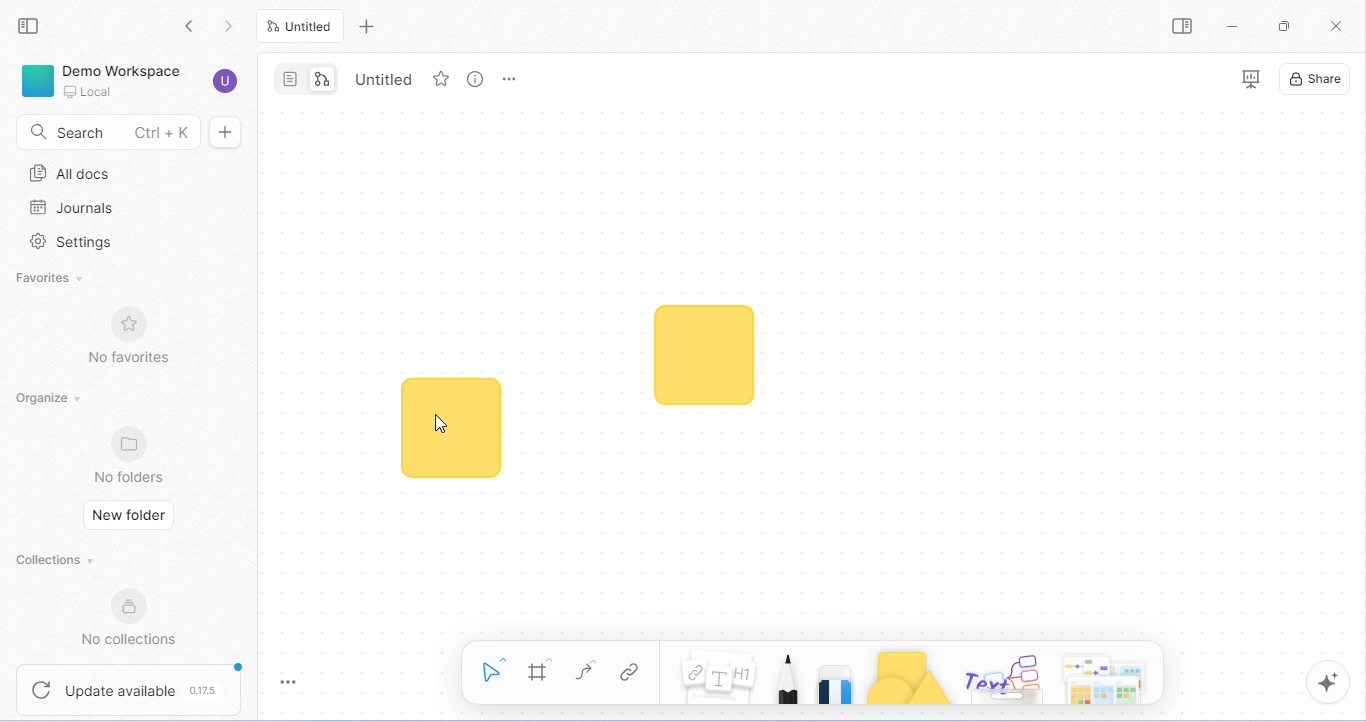 The width and height of the screenshot is (1366, 722). Describe the element at coordinates (910, 677) in the screenshot. I see `shapes` at that location.